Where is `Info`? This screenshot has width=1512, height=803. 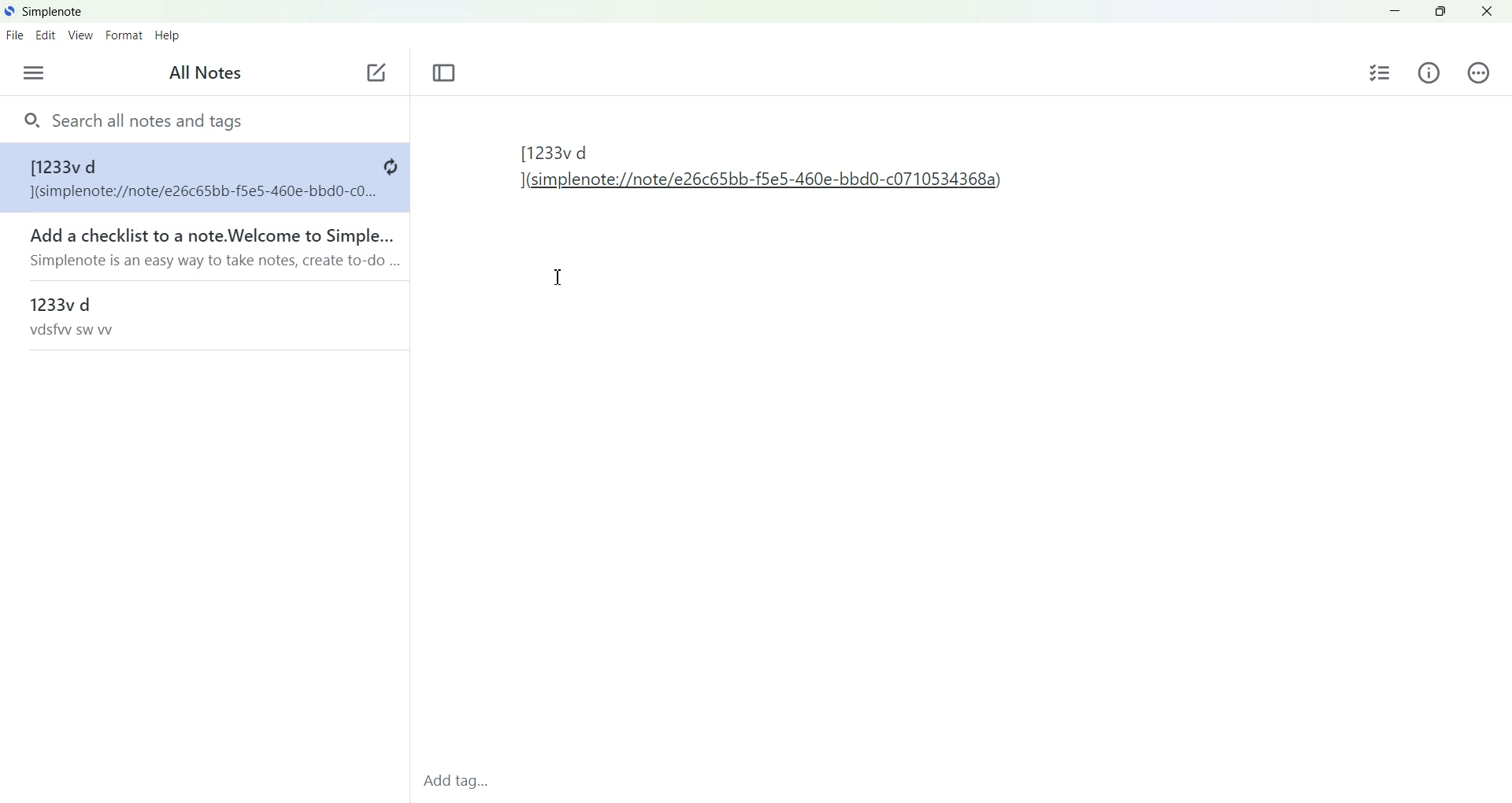
Info is located at coordinates (1429, 72).